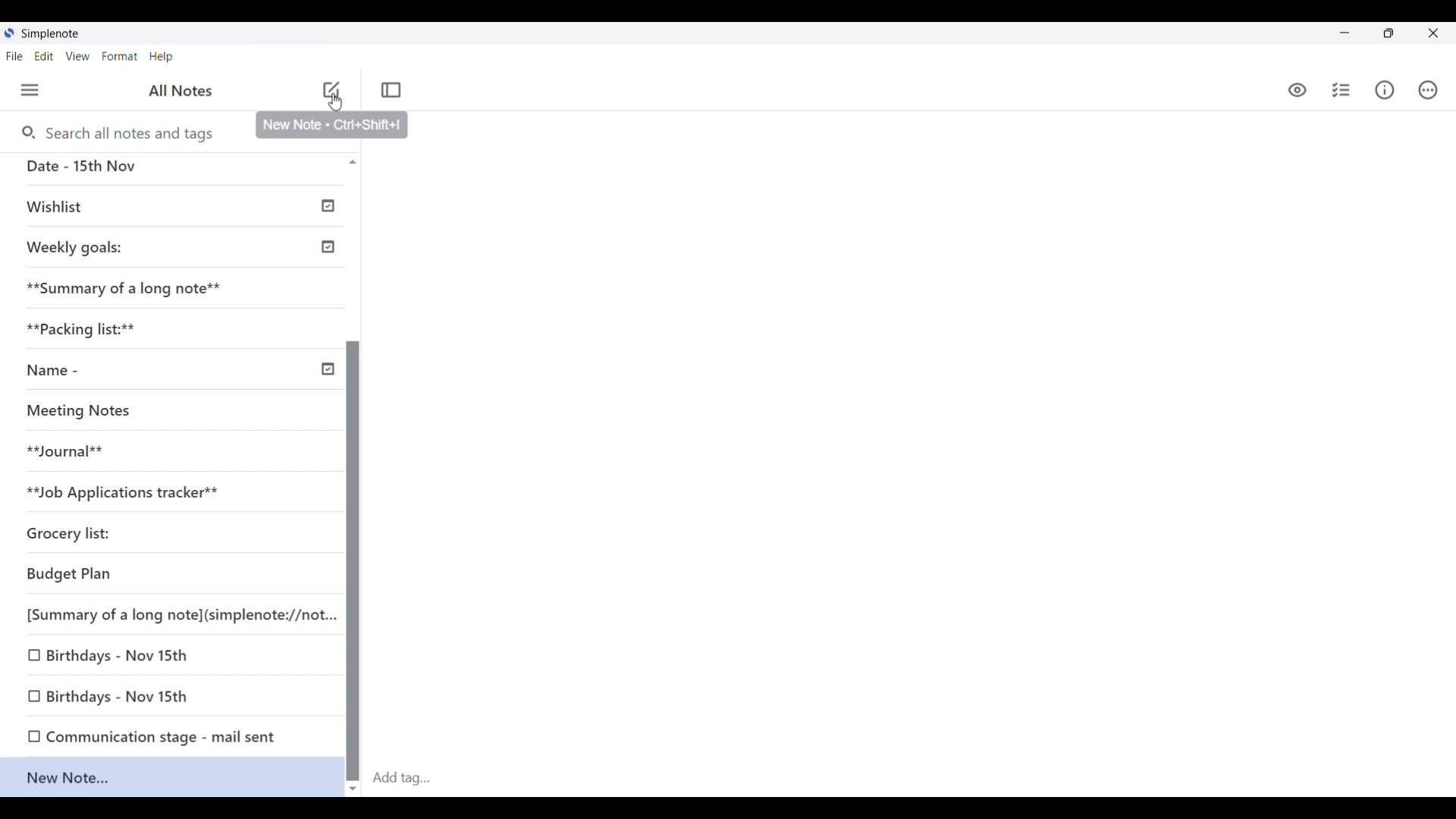 The width and height of the screenshot is (1456, 819). I want to click on Info, so click(1385, 90).